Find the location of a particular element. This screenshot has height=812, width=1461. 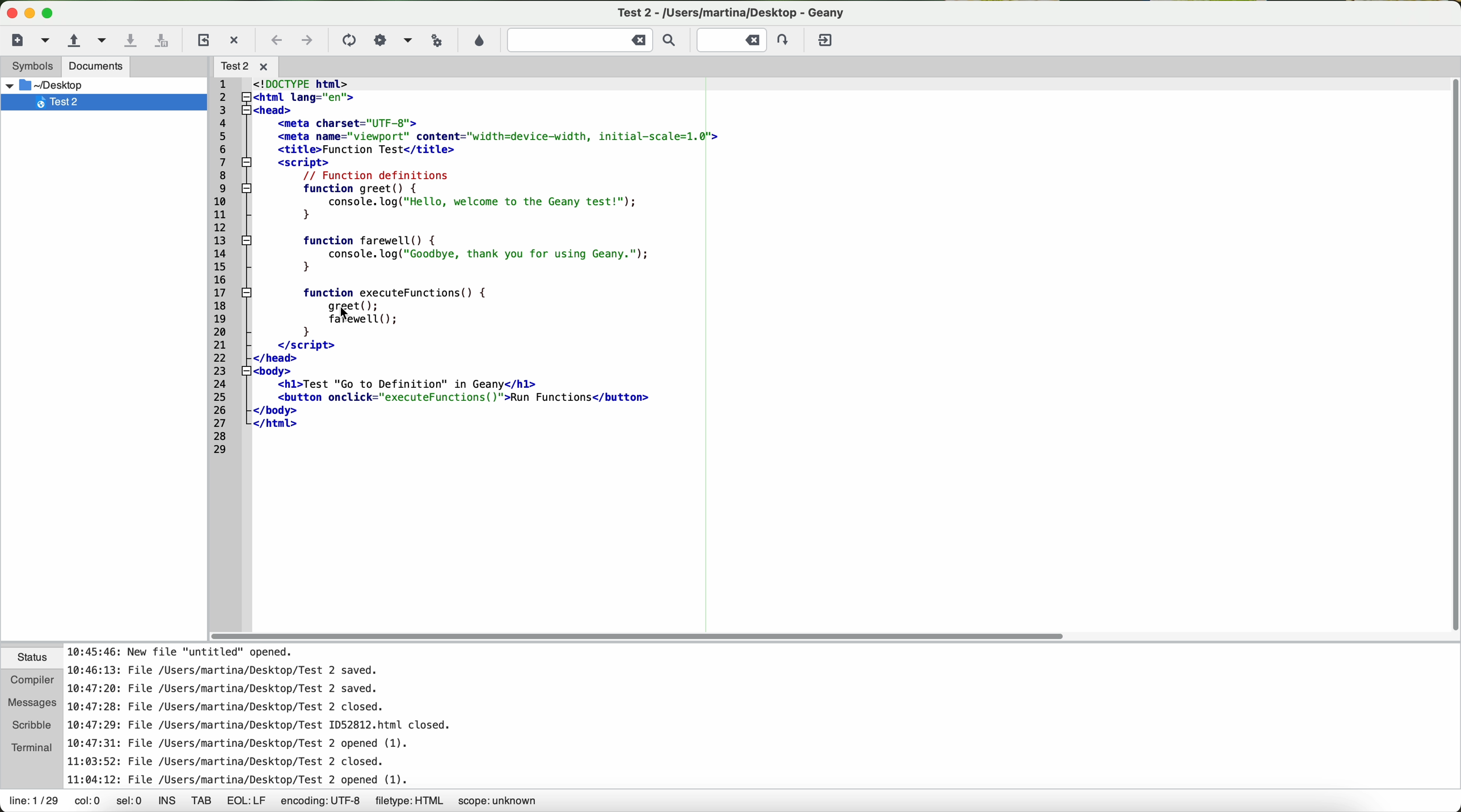

open an existing file is located at coordinates (70, 42).